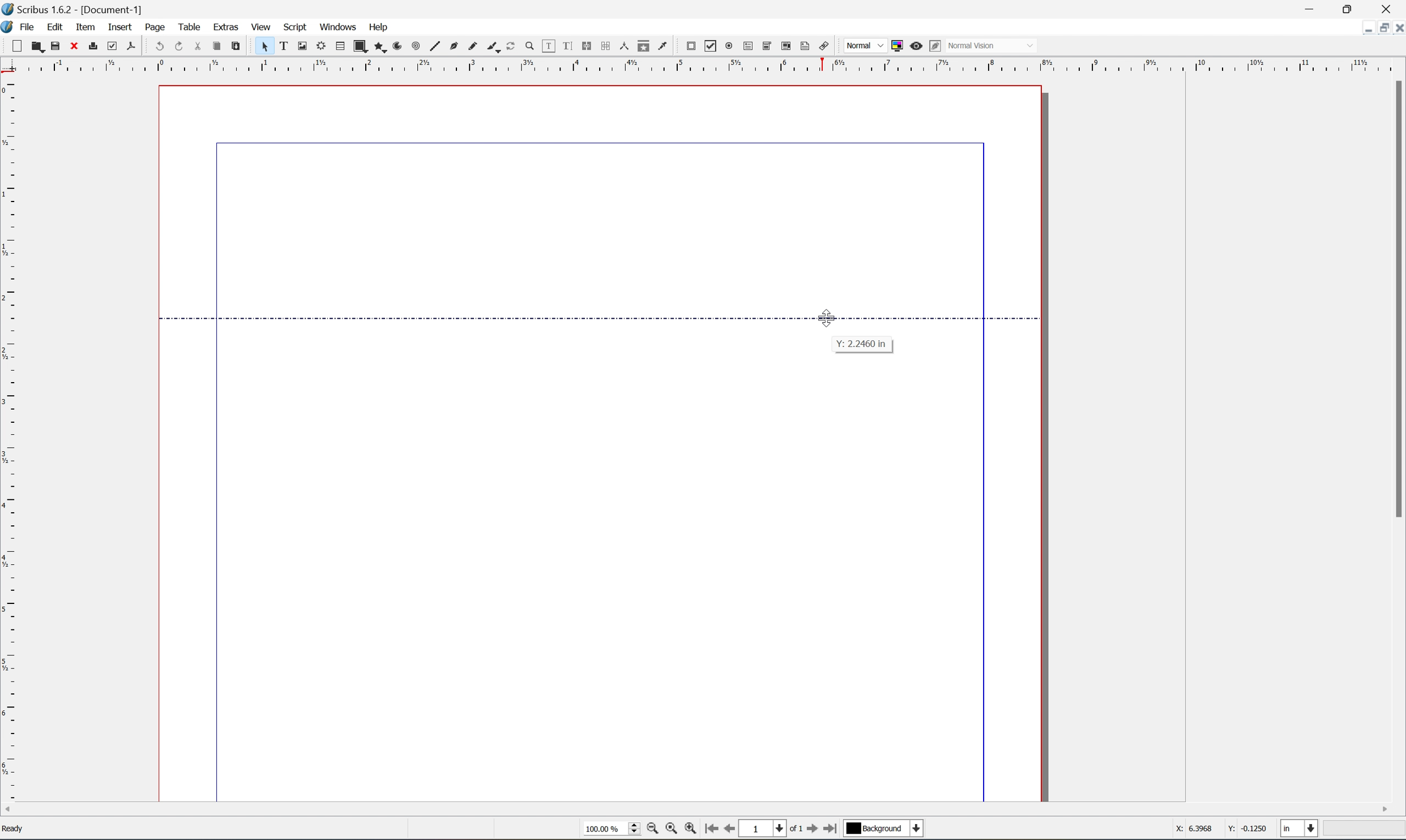 The image size is (1406, 840). Describe the element at coordinates (237, 45) in the screenshot. I see `paste` at that location.